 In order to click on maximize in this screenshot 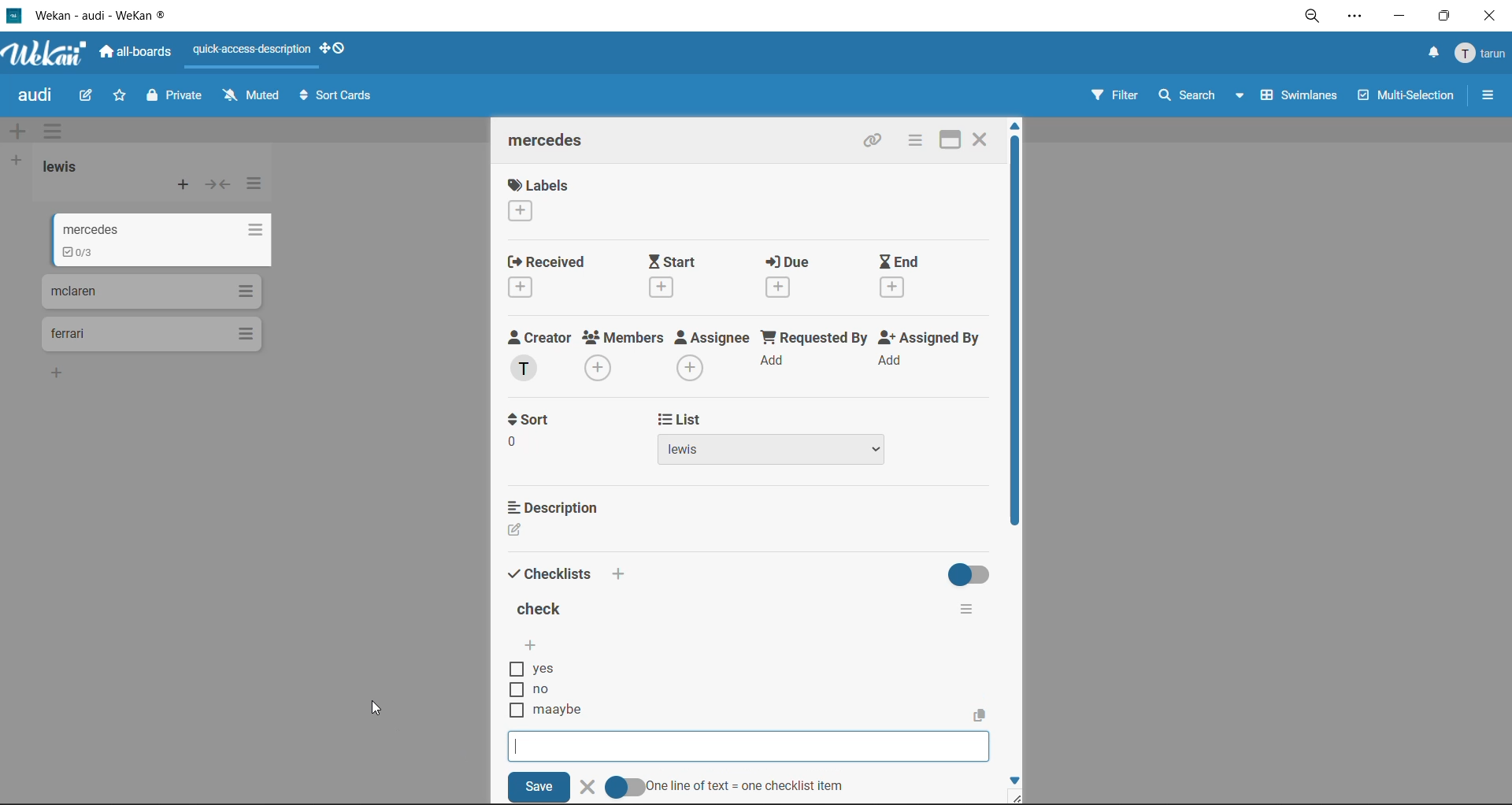, I will do `click(954, 142)`.